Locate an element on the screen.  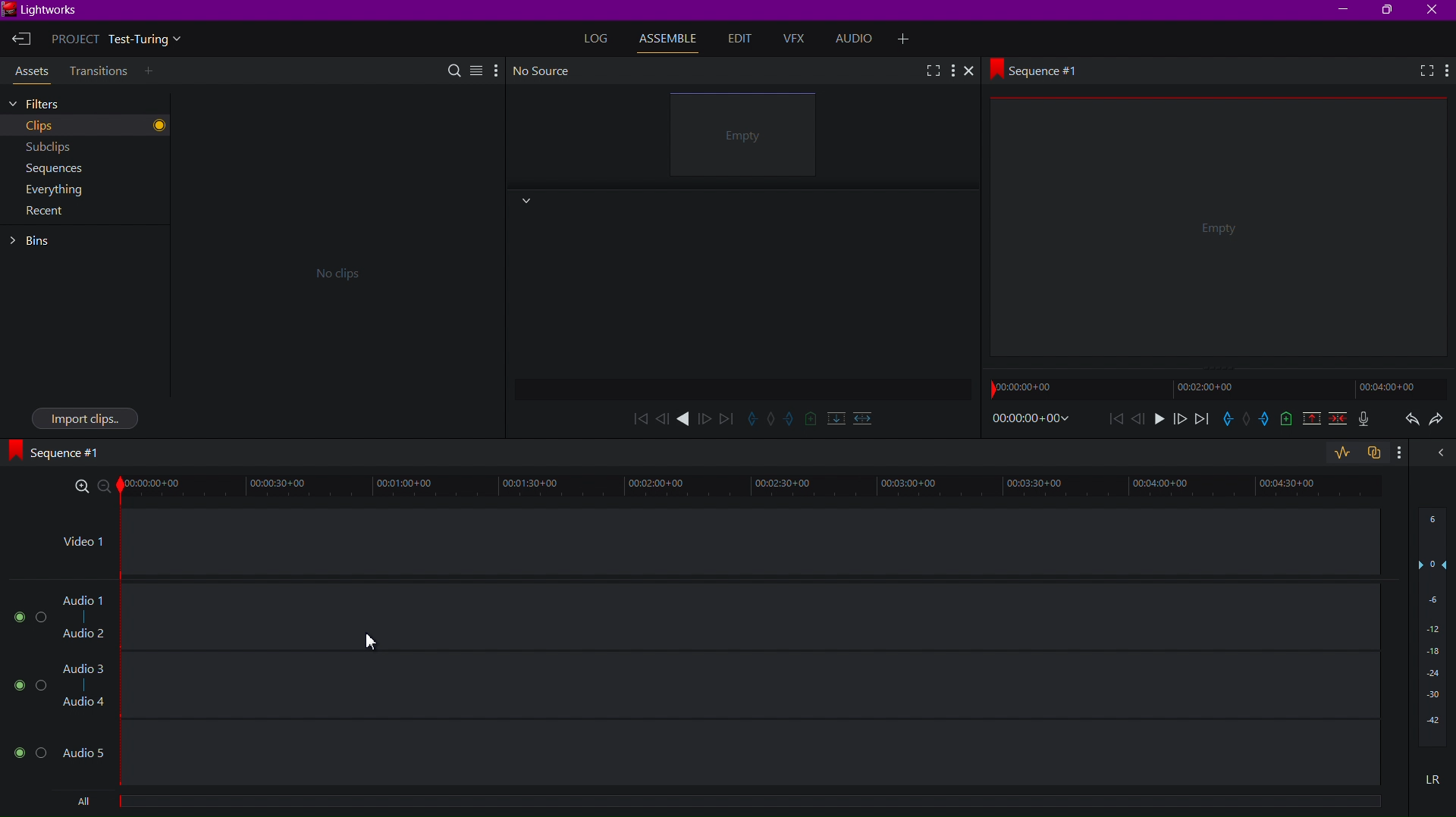
Exit is located at coordinates (21, 40).